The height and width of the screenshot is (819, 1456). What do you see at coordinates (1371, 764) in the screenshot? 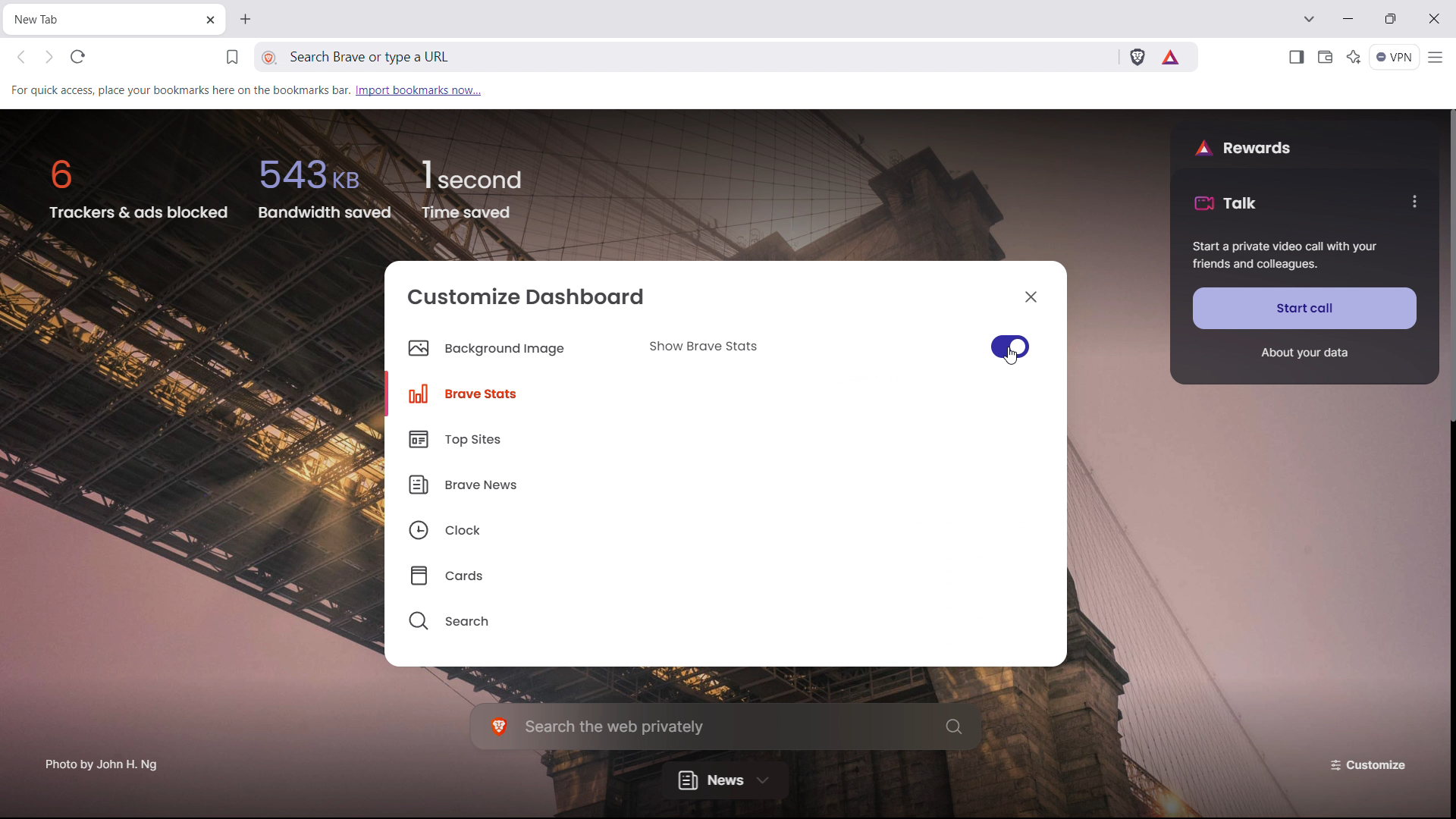
I see `customize` at bounding box center [1371, 764].